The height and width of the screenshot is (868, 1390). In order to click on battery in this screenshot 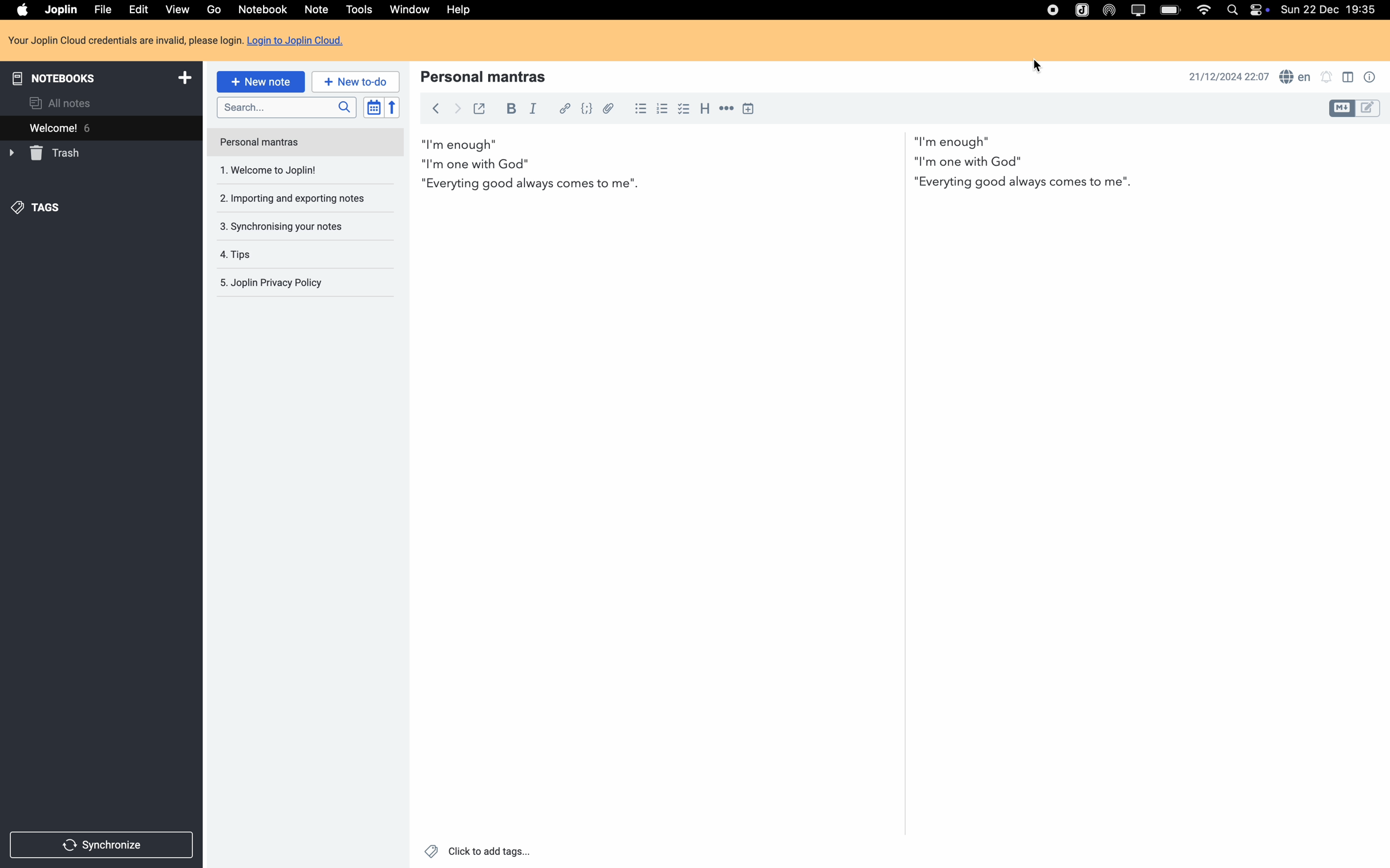, I will do `click(1169, 10)`.